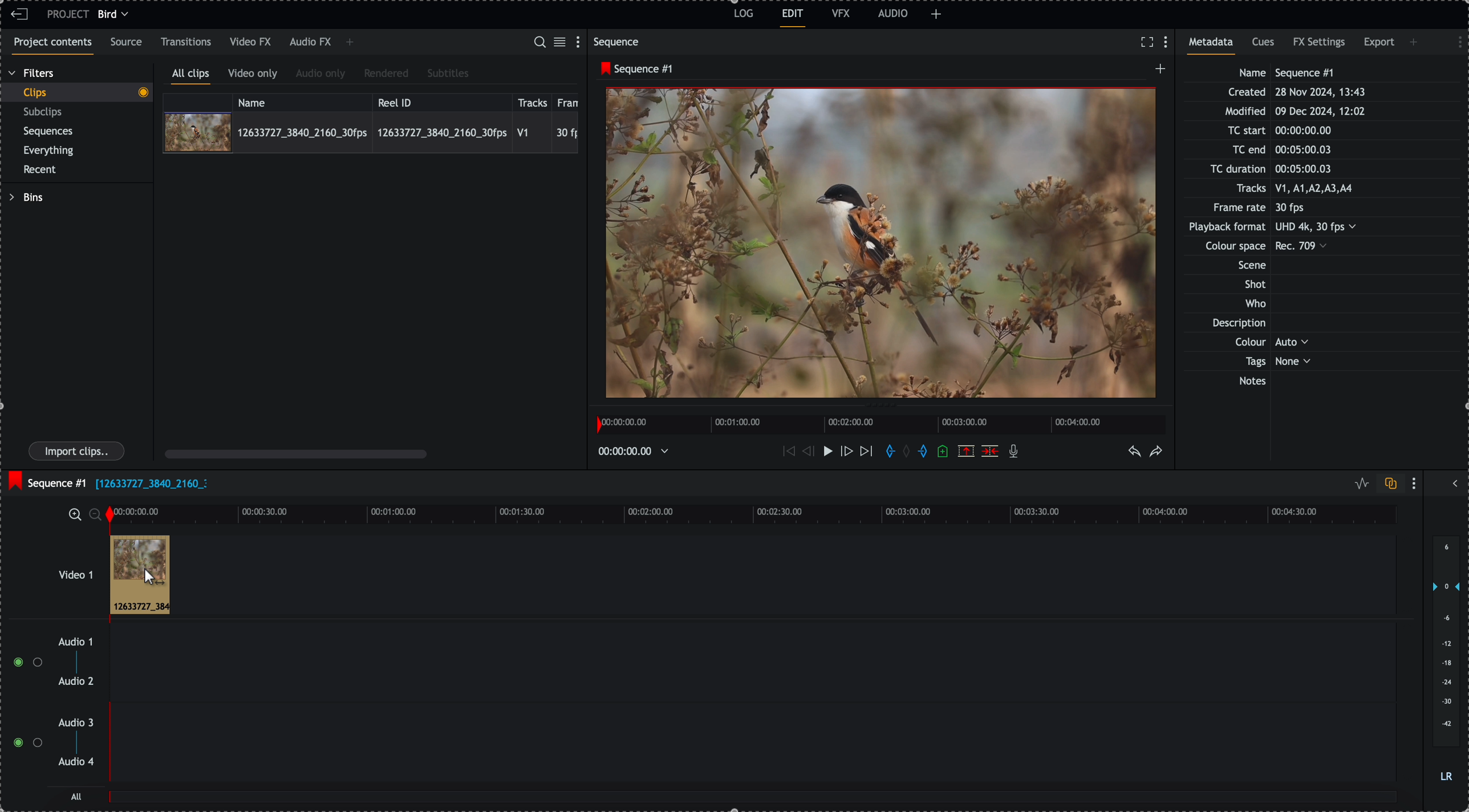 Image resolution: width=1469 pixels, height=812 pixels. I want to click on project contents, so click(50, 46).